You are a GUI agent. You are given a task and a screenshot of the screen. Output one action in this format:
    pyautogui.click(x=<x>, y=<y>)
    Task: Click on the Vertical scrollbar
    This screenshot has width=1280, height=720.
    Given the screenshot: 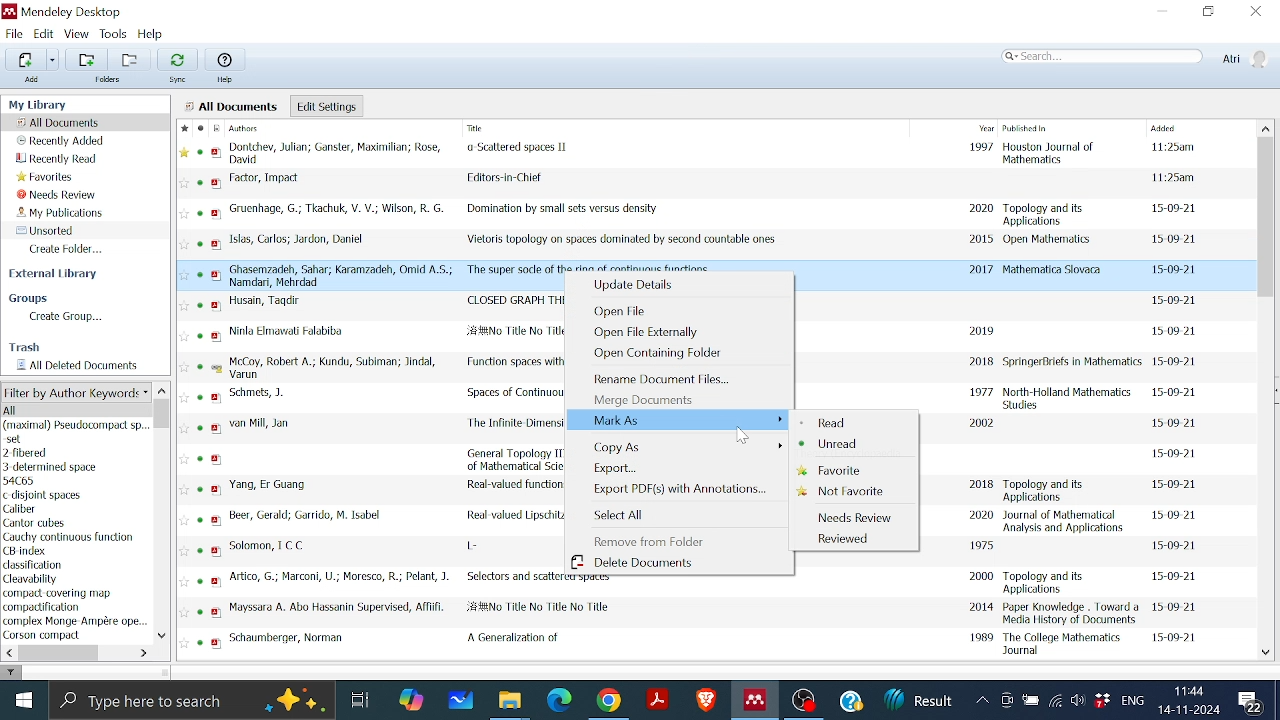 What is the action you would take?
    pyautogui.click(x=1266, y=218)
    